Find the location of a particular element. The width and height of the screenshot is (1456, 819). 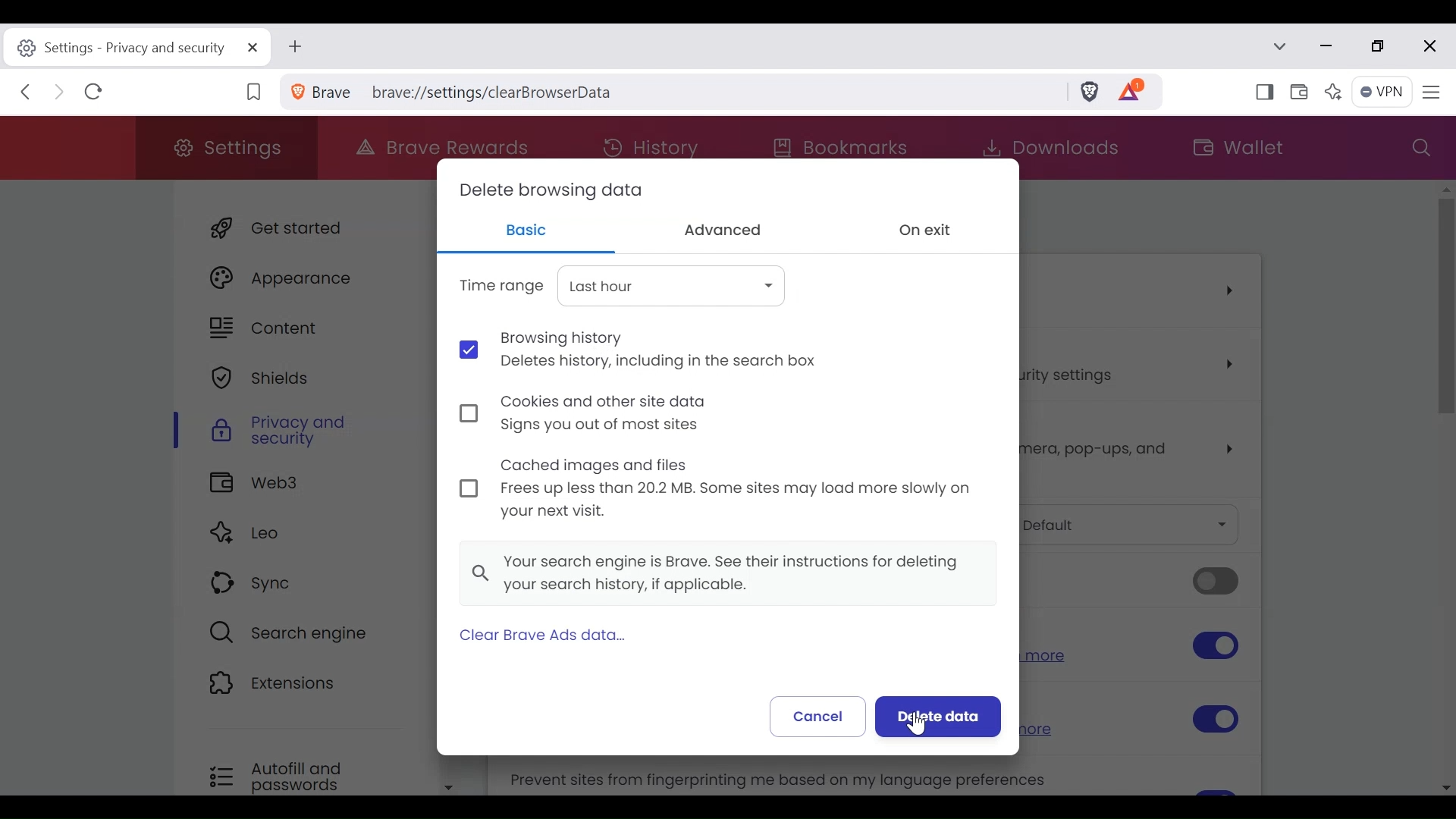

Delete data is located at coordinates (937, 717).